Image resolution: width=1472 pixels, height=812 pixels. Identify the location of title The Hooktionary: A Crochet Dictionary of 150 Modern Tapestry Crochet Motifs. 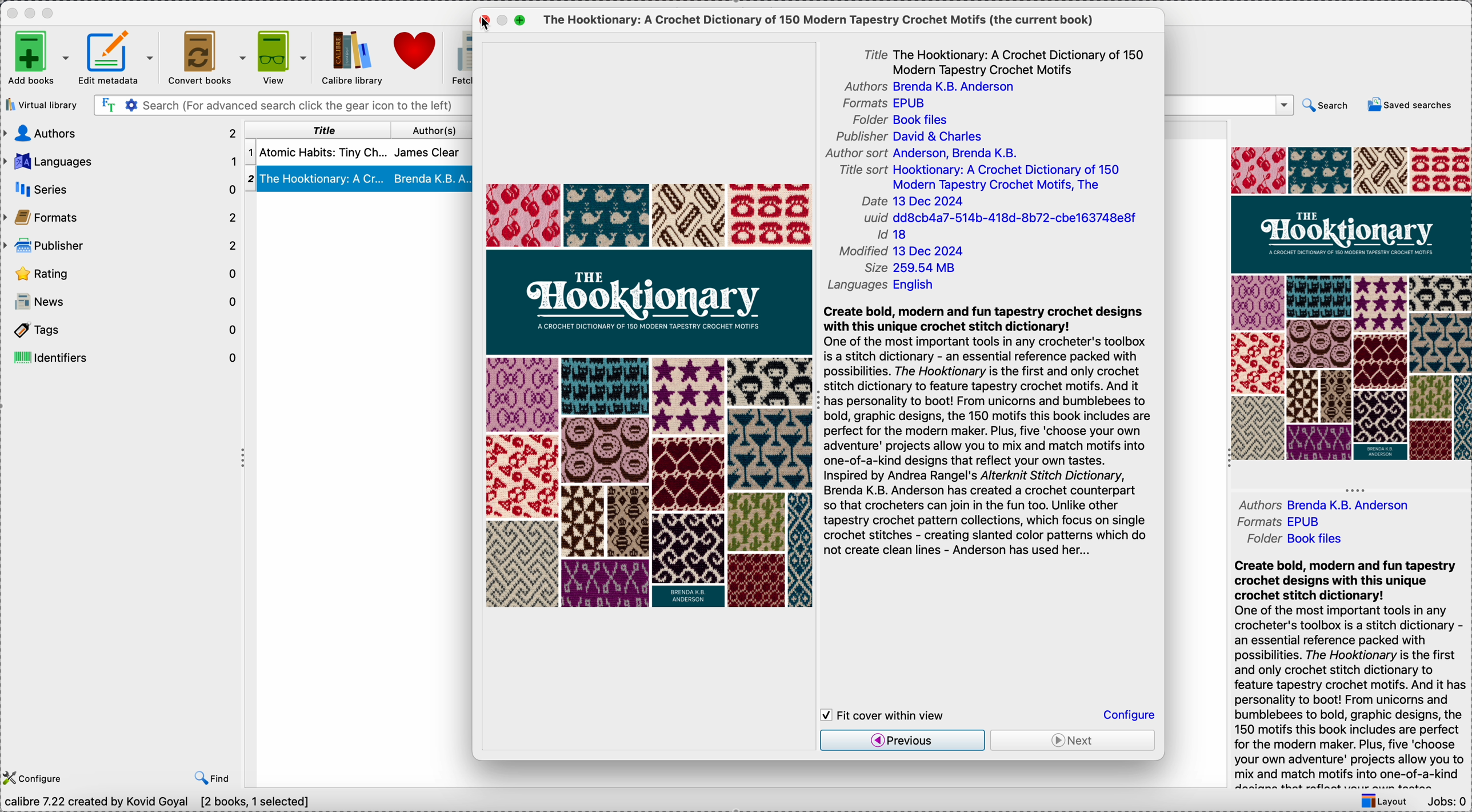
(1006, 60).